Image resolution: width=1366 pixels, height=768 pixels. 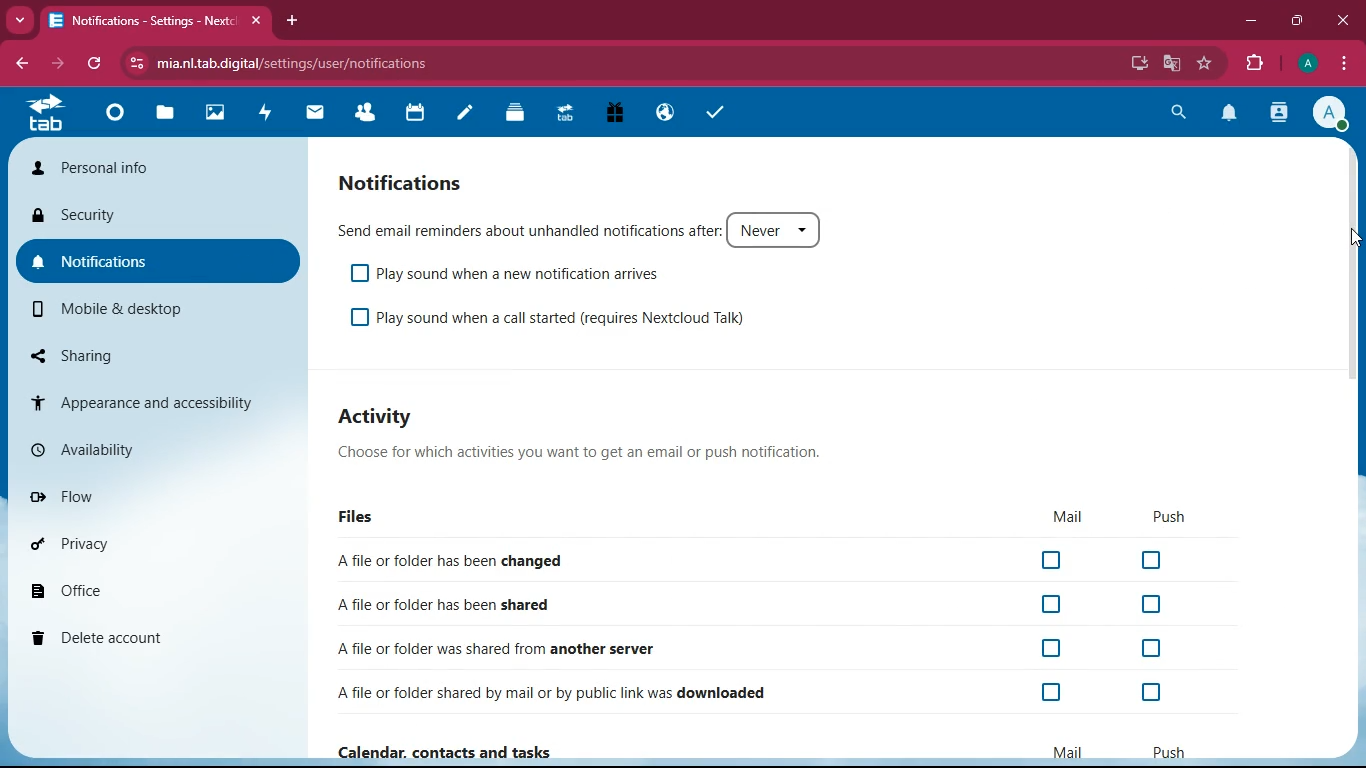 I want to click on Free Trial, so click(x=613, y=114).